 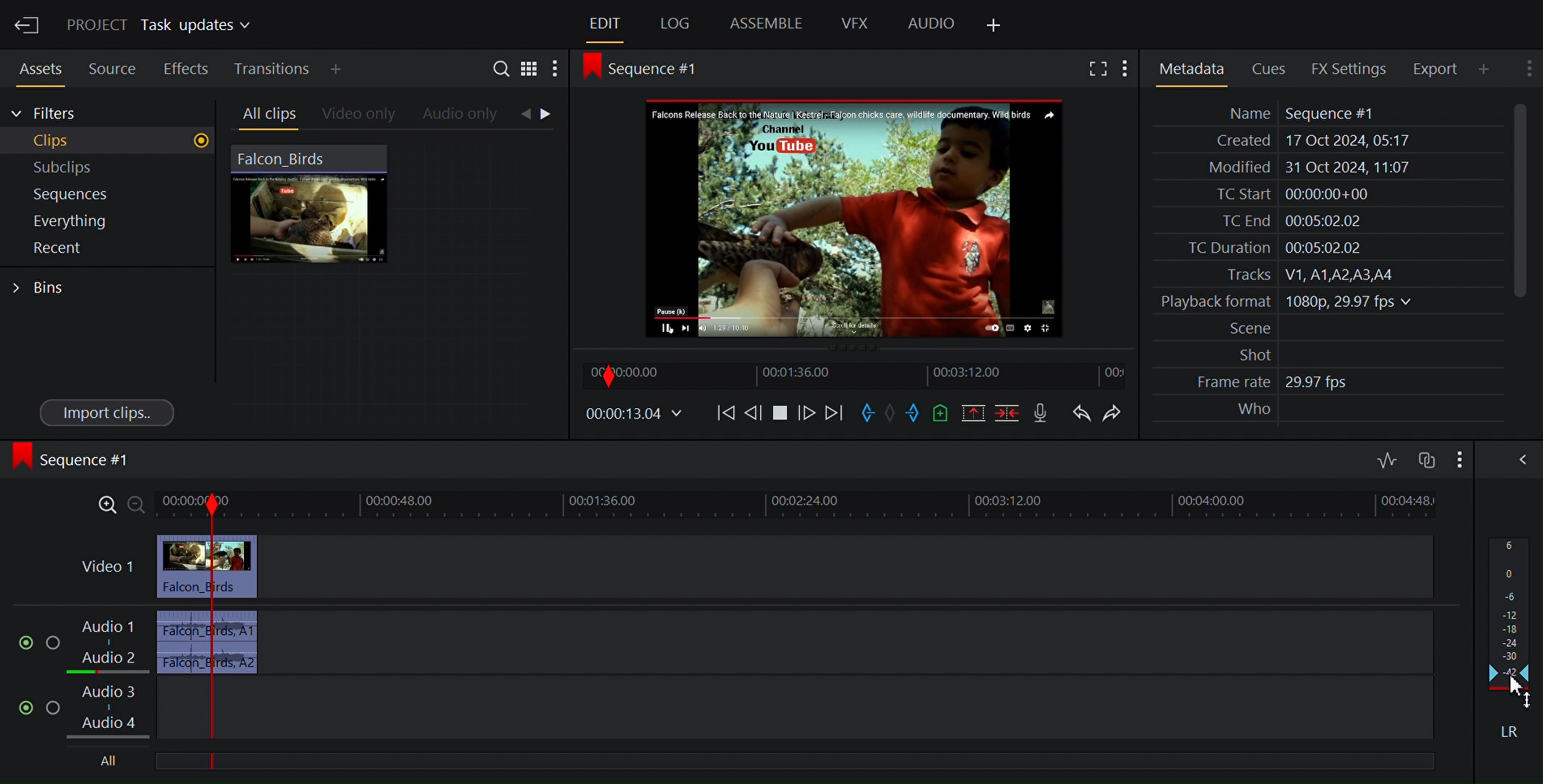 I want to click on Toggle audio editing levels, so click(x=1386, y=458).